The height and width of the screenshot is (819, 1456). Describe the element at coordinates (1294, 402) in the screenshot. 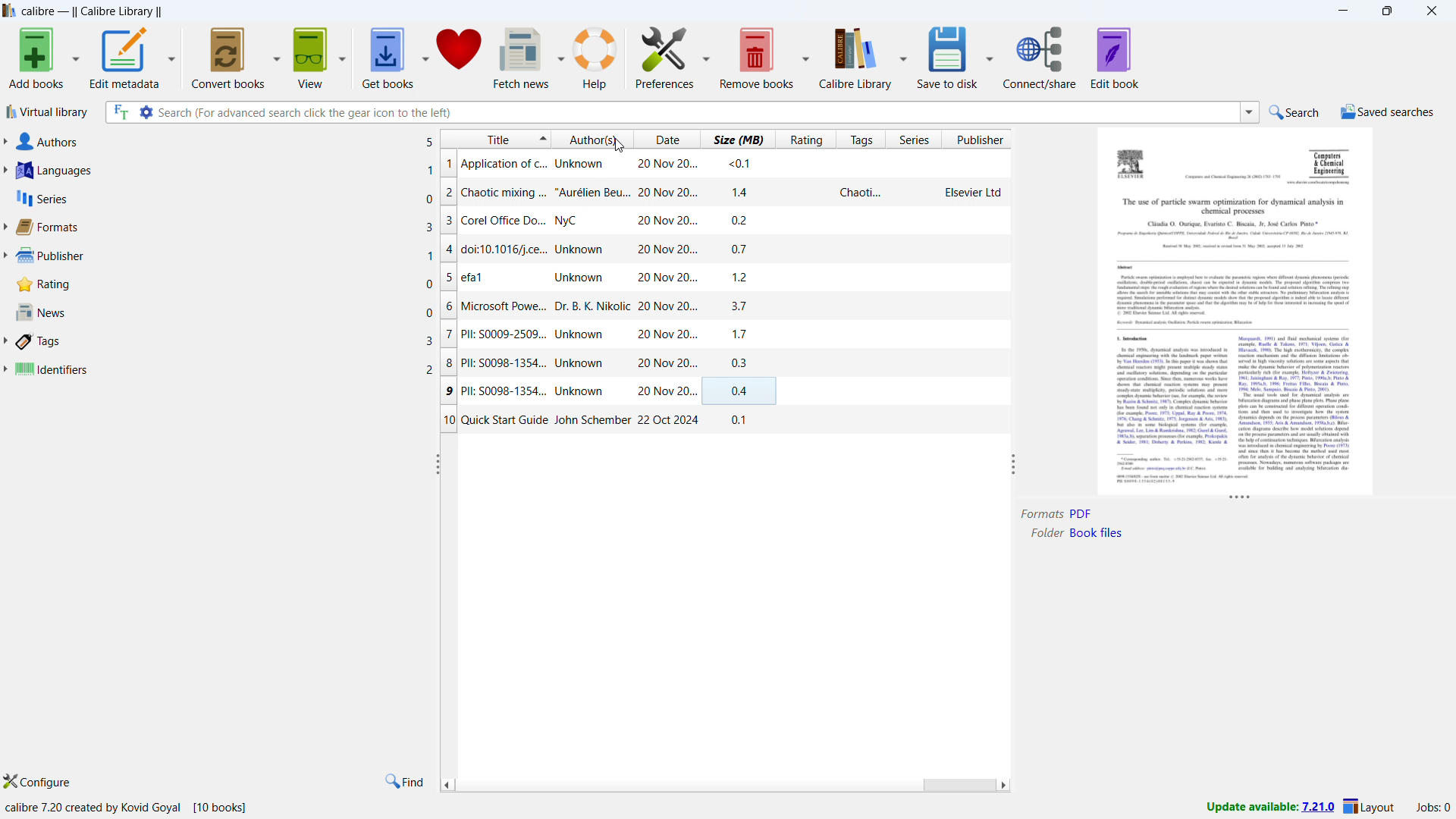

I see `` at that location.